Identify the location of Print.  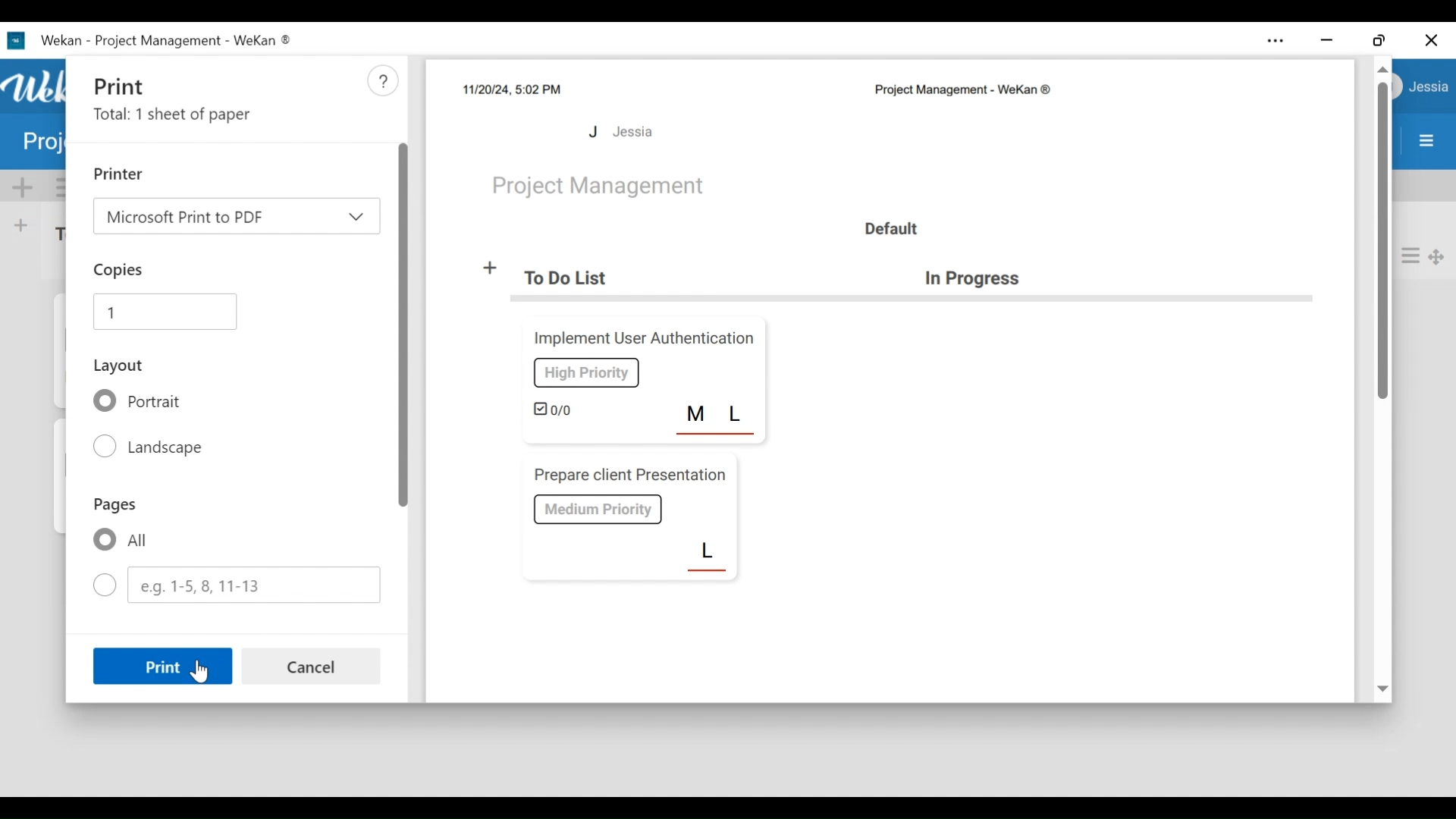
(162, 665).